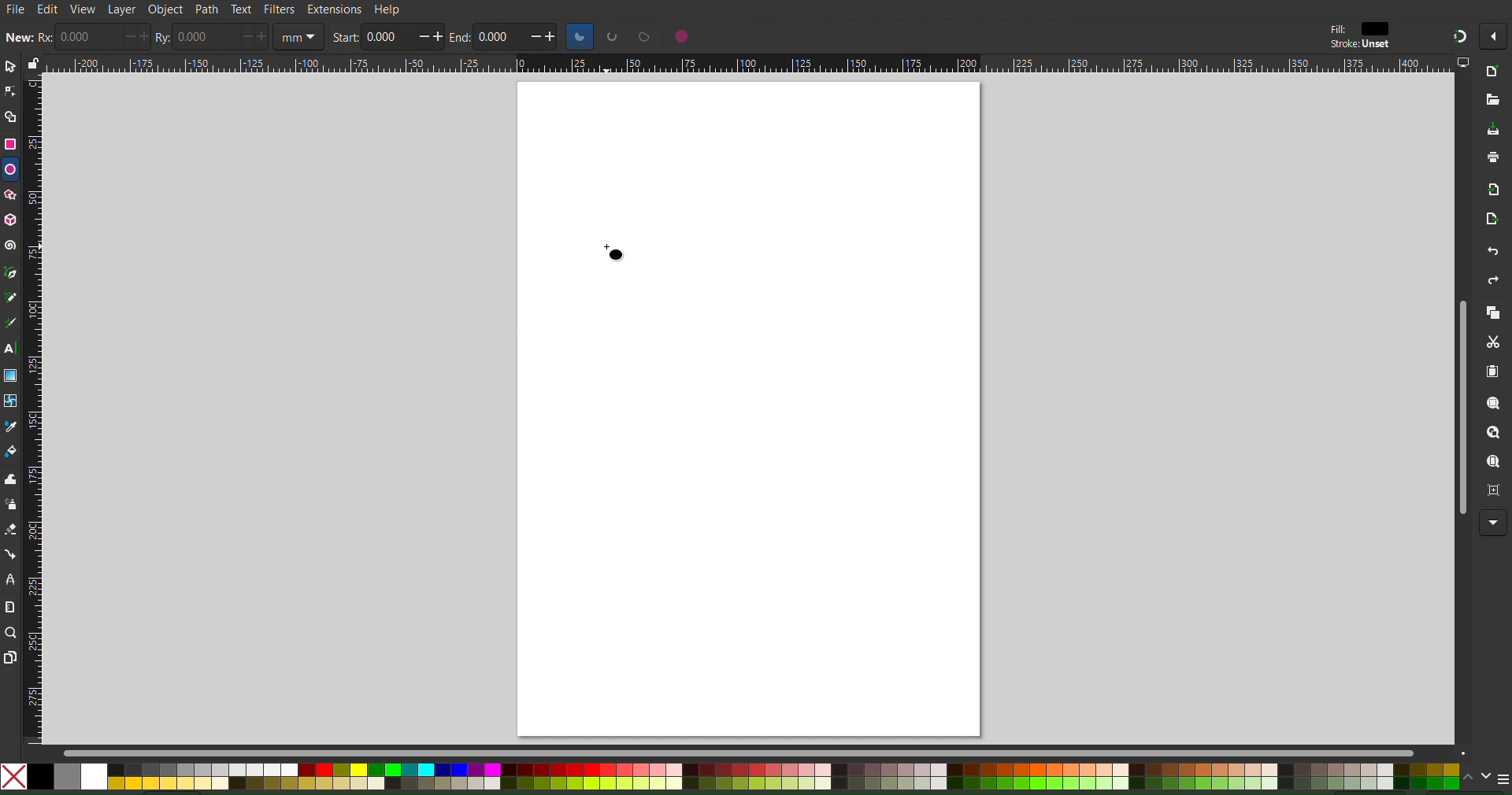 The image size is (1512, 795). What do you see at coordinates (32, 61) in the screenshot?
I see `lock` at bounding box center [32, 61].